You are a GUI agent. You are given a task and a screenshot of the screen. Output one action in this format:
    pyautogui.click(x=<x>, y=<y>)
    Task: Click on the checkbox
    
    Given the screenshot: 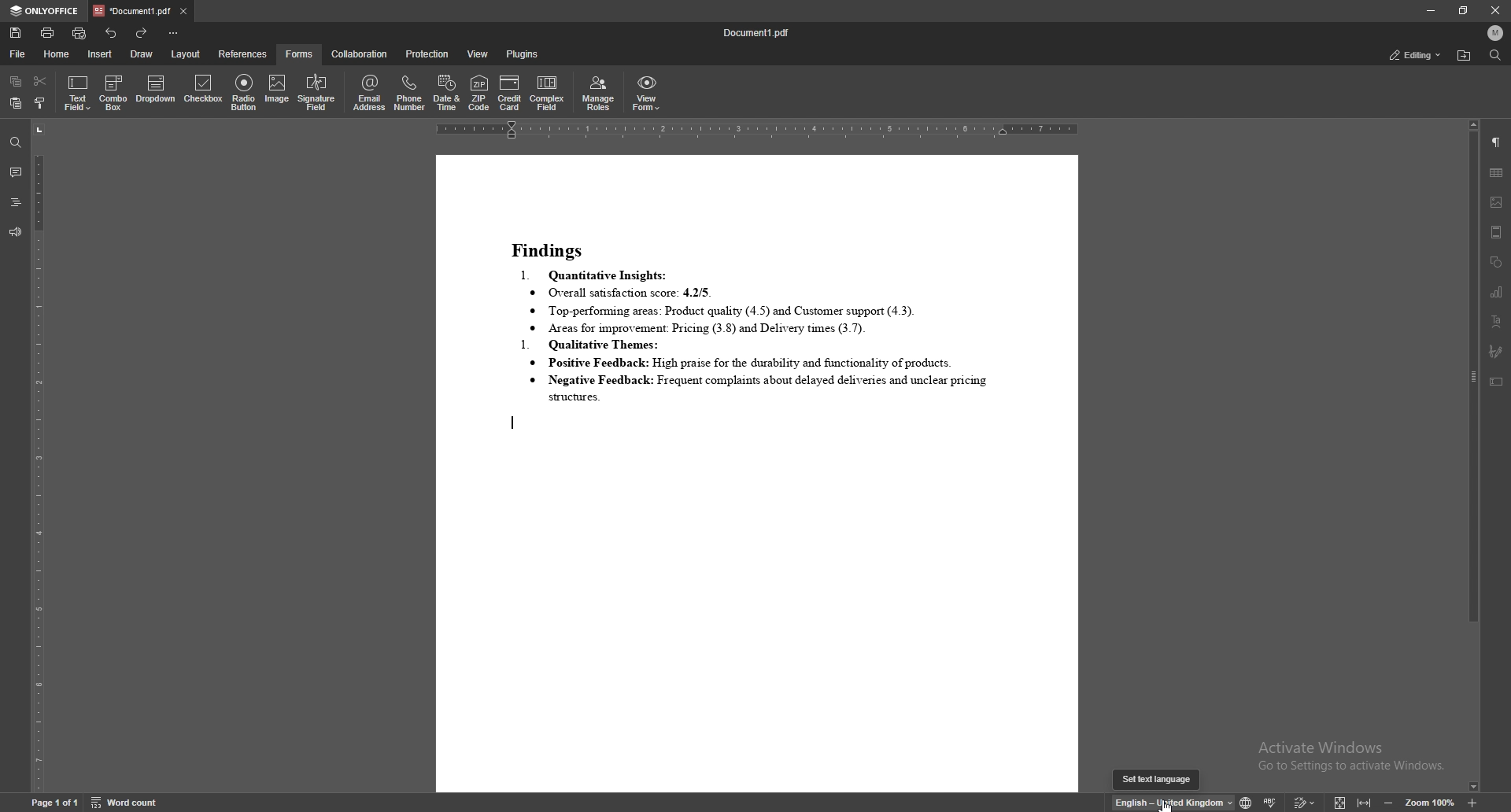 What is the action you would take?
    pyautogui.click(x=203, y=91)
    